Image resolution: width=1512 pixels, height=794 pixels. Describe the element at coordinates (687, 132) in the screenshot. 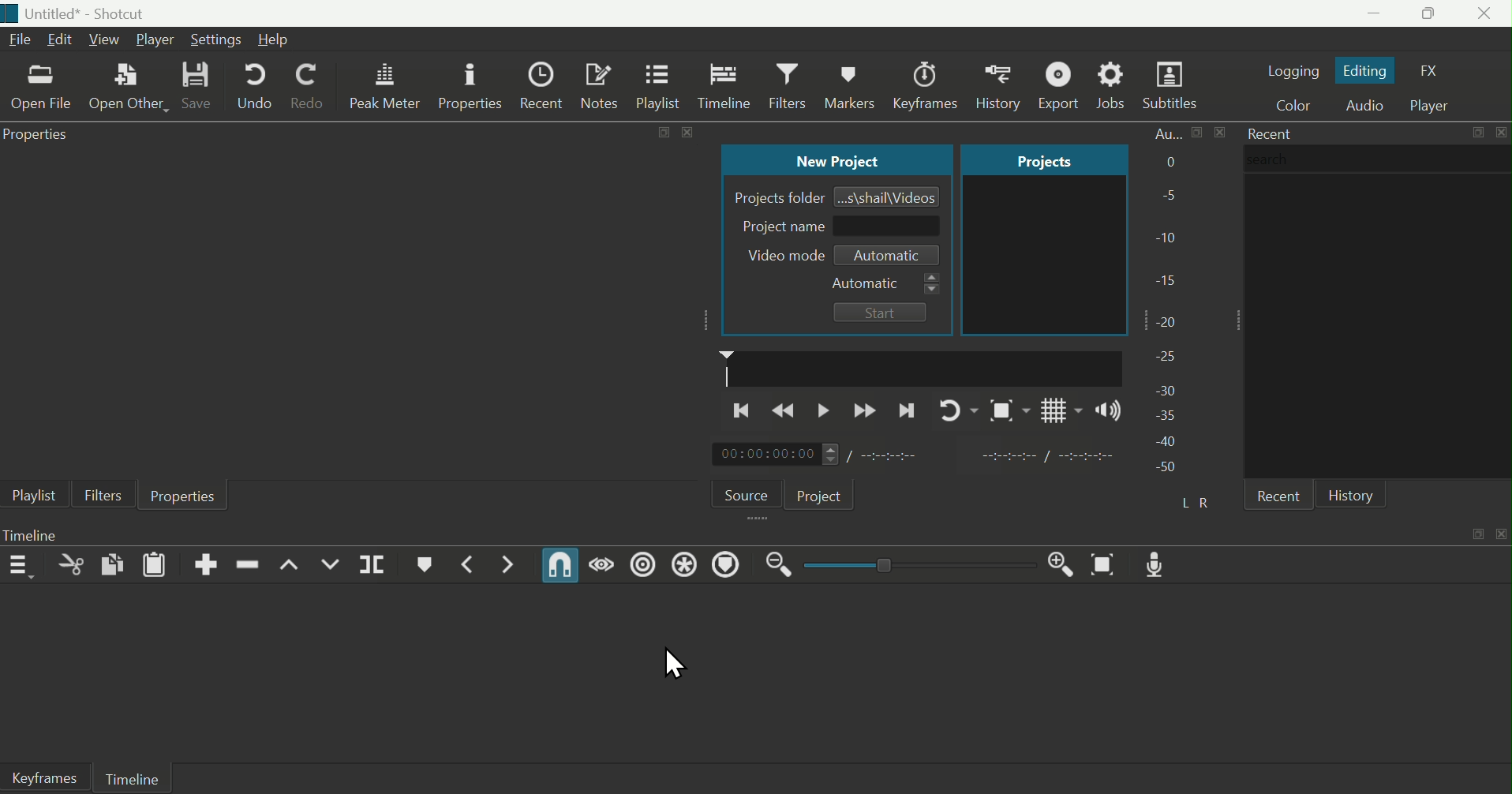

I see `close` at that location.